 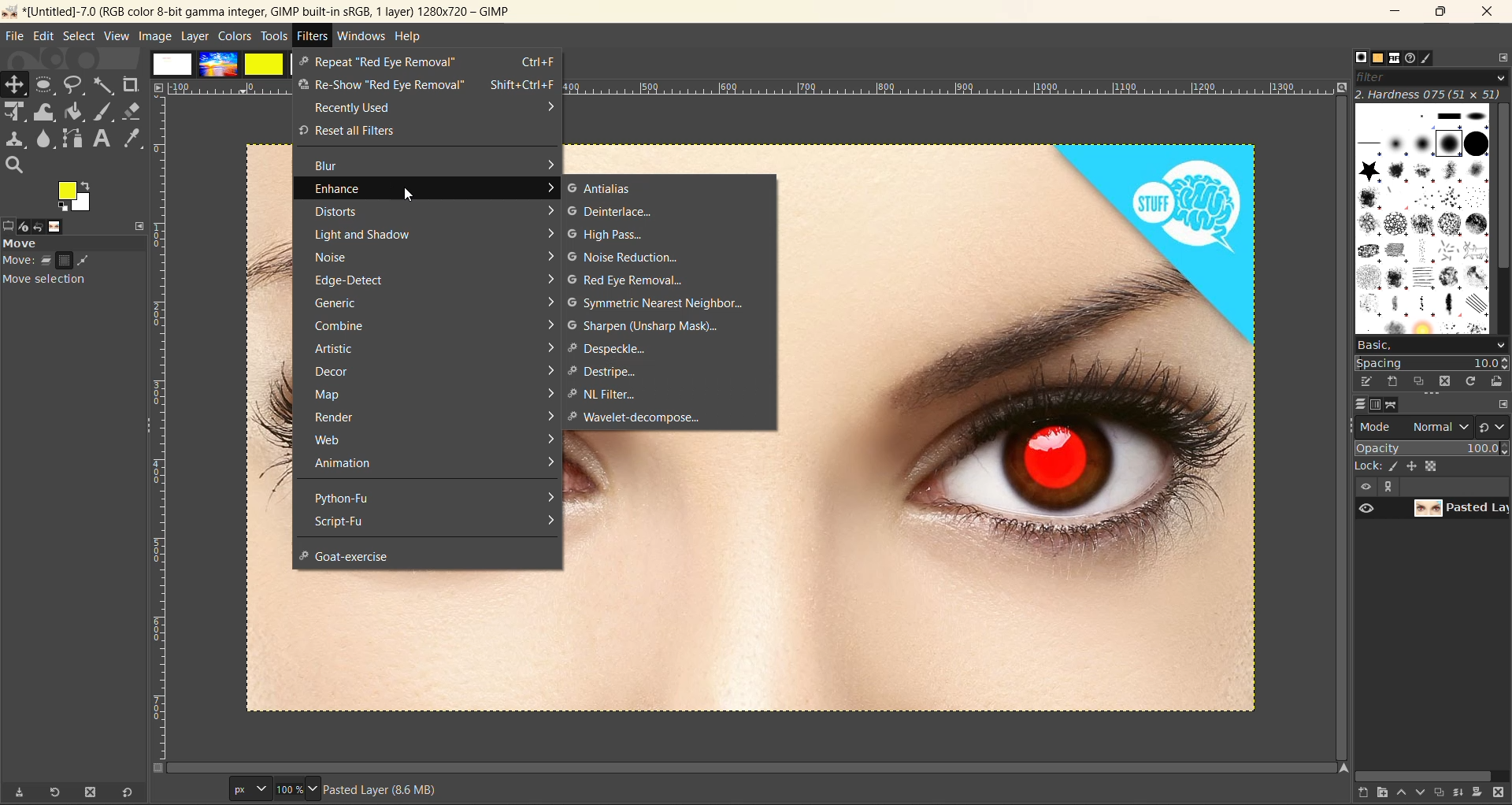 I want to click on add a mask, so click(x=1482, y=795).